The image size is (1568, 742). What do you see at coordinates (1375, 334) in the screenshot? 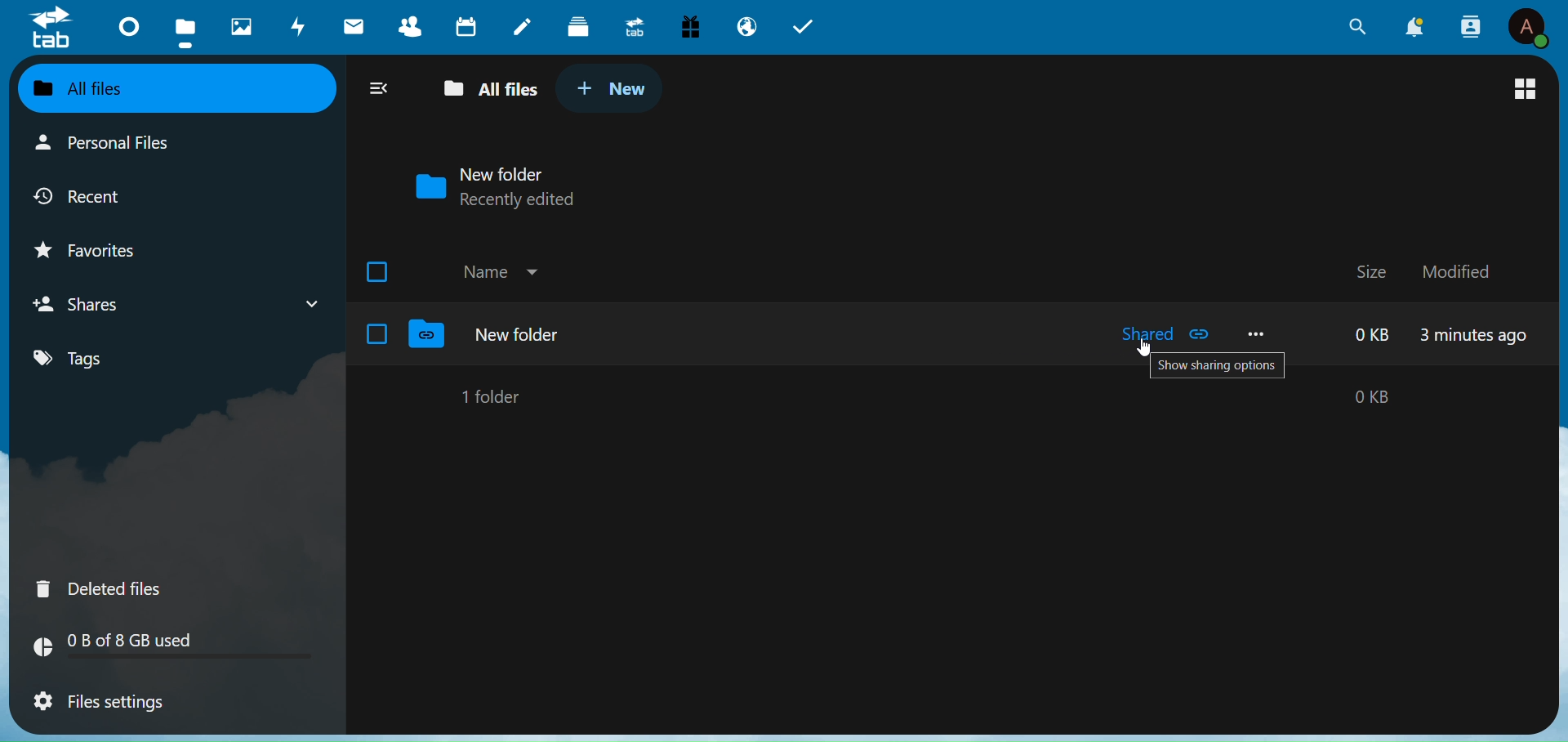
I see `0 kb` at bounding box center [1375, 334].